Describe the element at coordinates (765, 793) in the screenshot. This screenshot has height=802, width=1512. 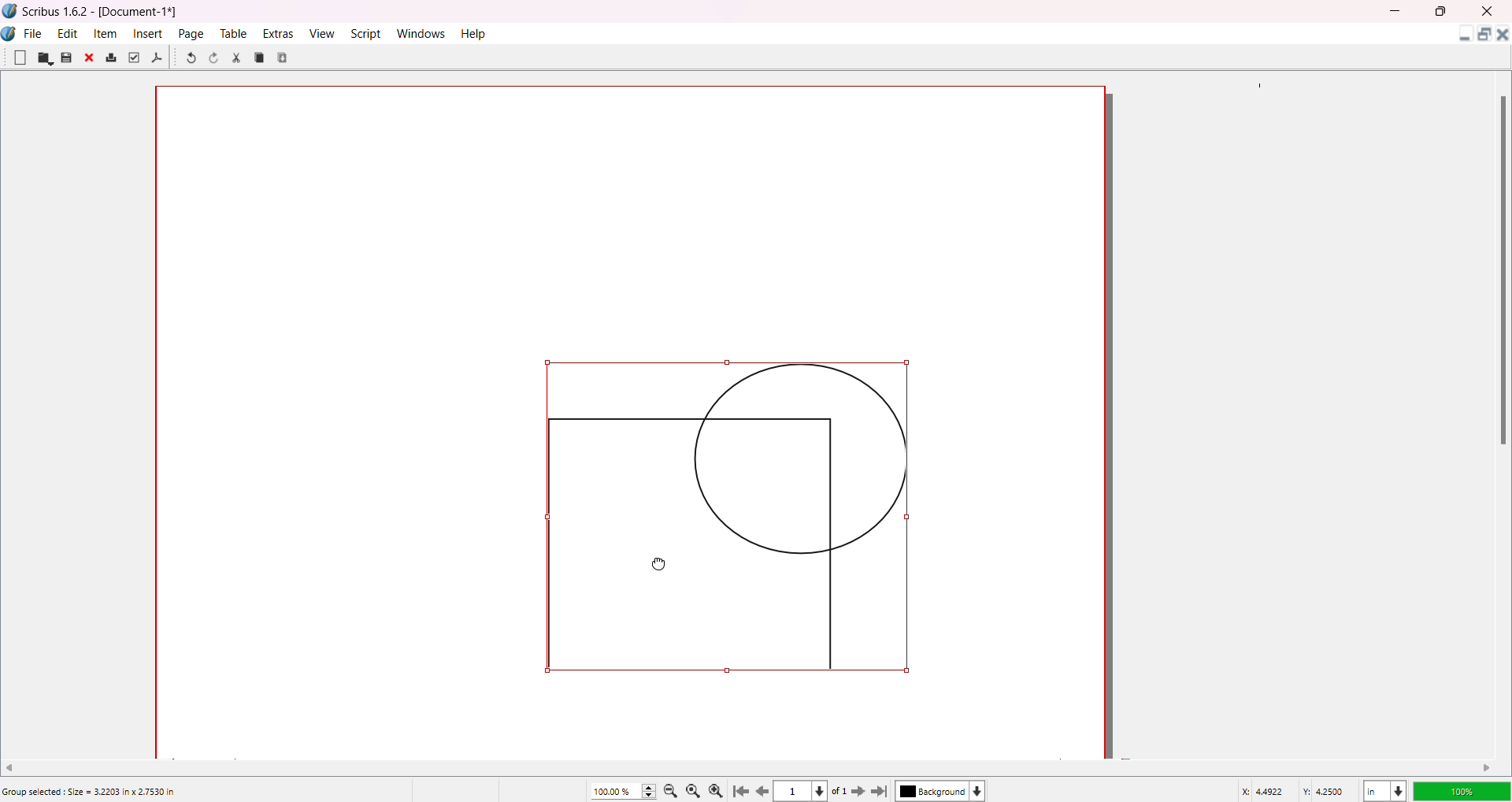
I see `previous` at that location.